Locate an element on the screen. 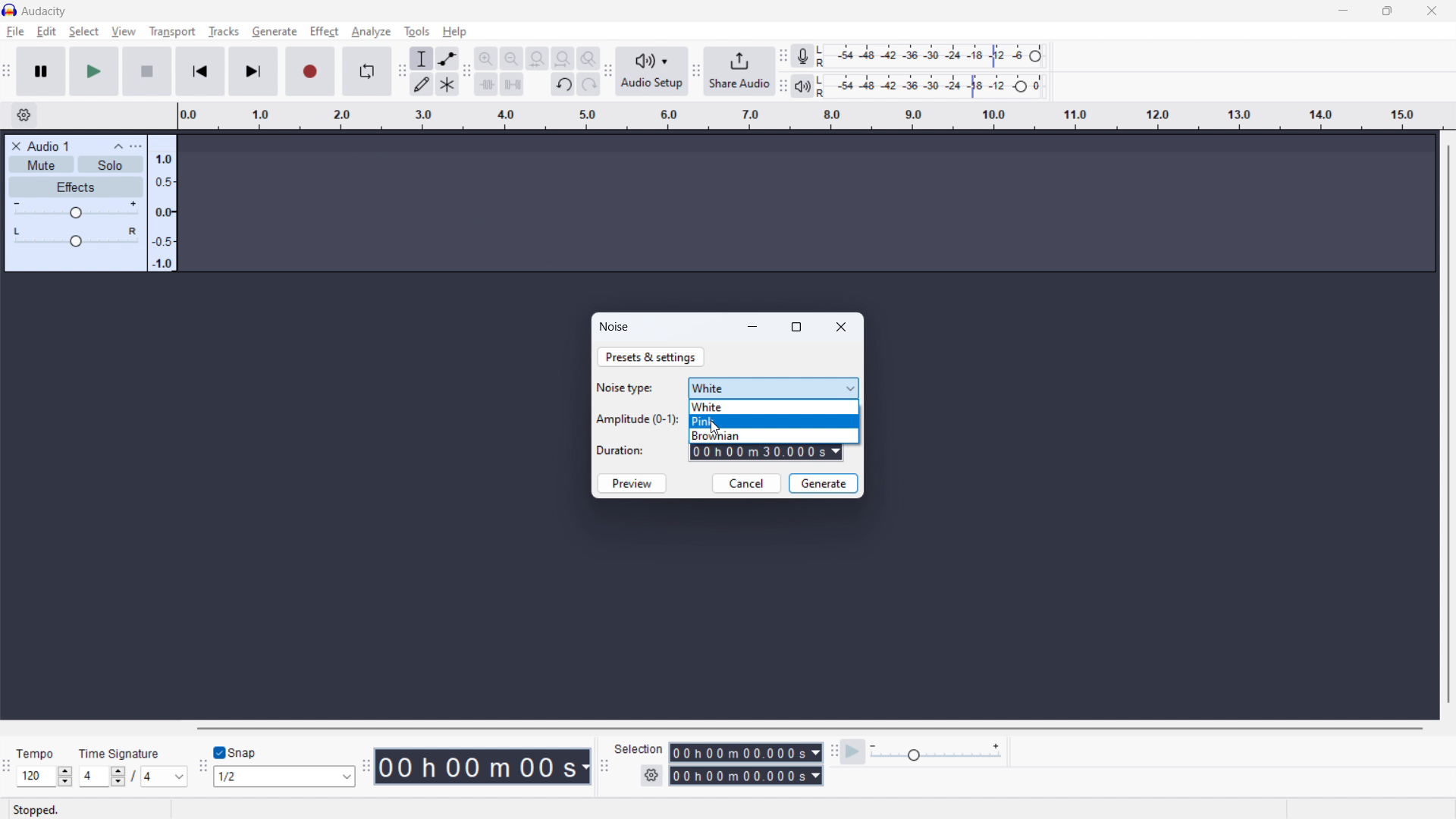 This screenshot has height=819, width=1456. time signature toolbar is located at coordinates (8, 768).